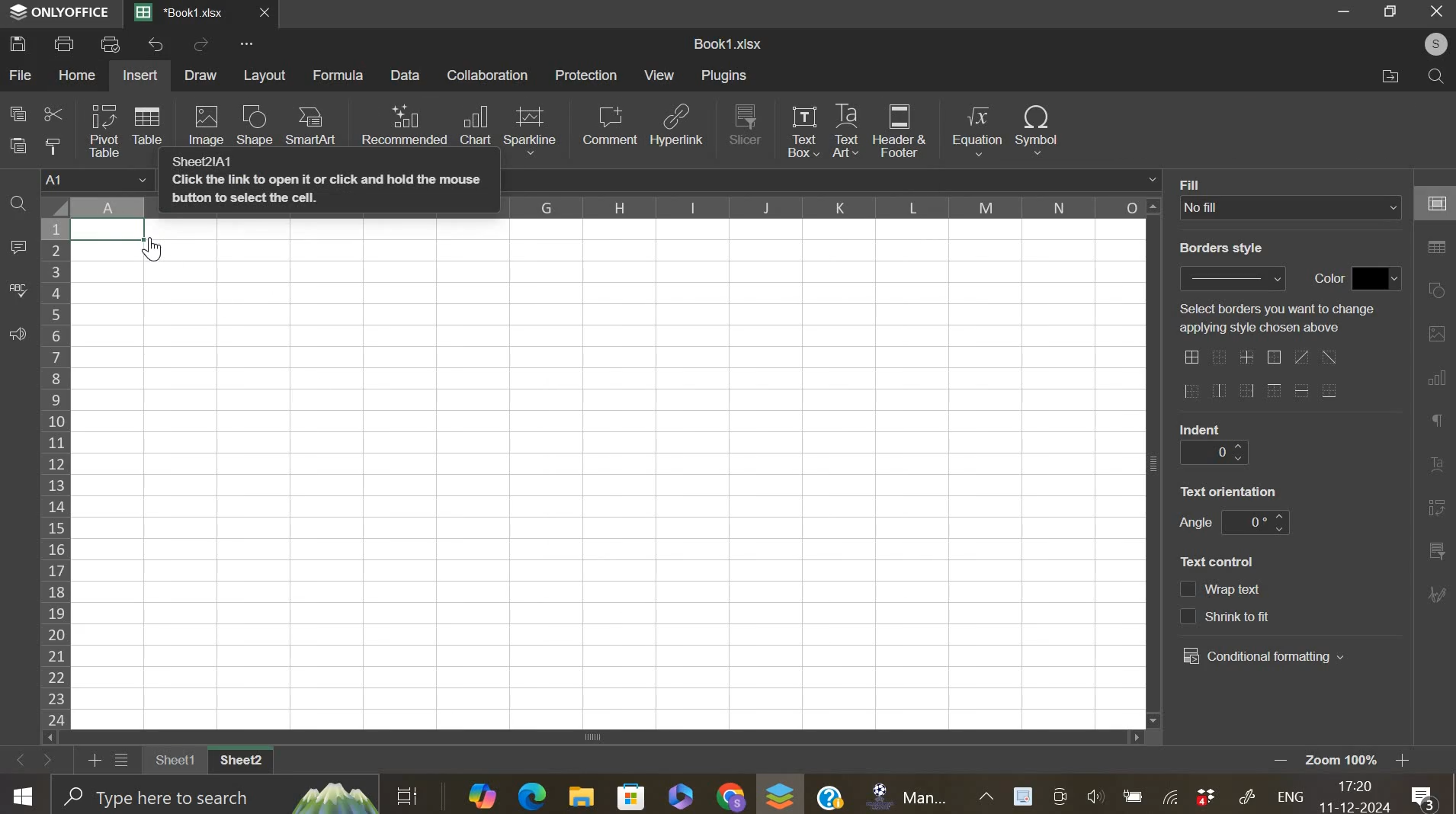  What do you see at coordinates (254, 127) in the screenshot?
I see `shape` at bounding box center [254, 127].